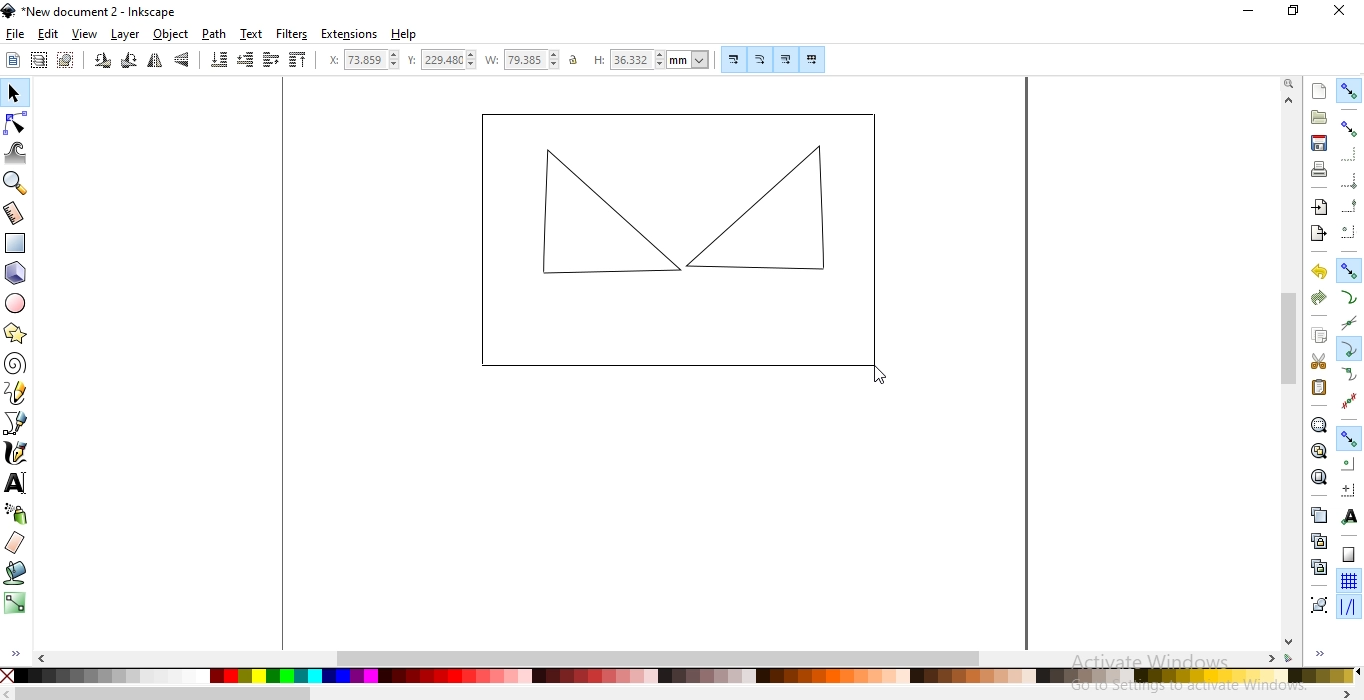  What do you see at coordinates (17, 515) in the screenshot?
I see `spray objects by sculpting or painting` at bounding box center [17, 515].